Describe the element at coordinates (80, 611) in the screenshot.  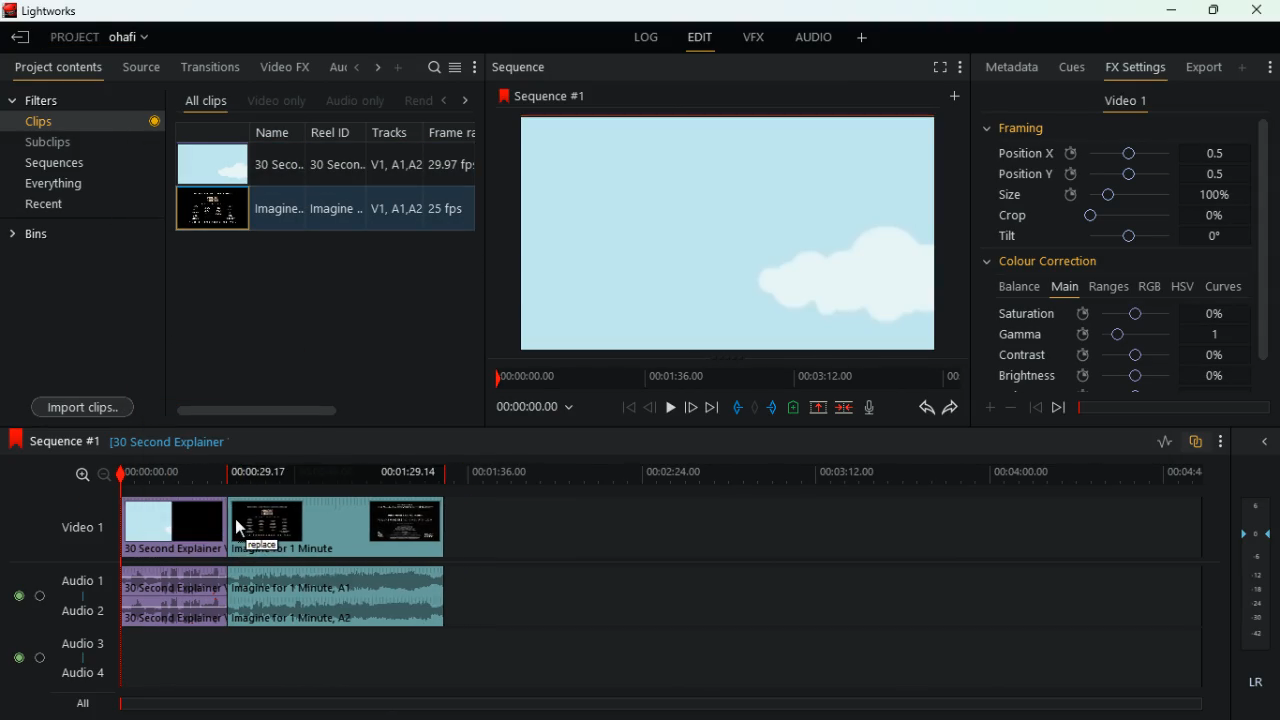
I see `audio 2` at that location.